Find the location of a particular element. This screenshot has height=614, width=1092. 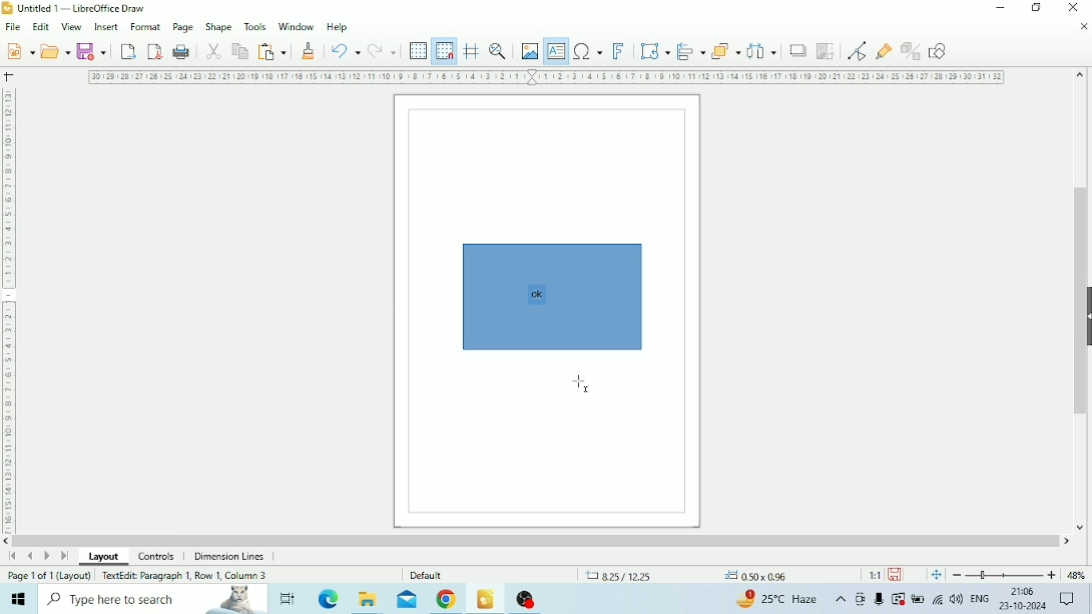

Fit page to current window is located at coordinates (936, 575).